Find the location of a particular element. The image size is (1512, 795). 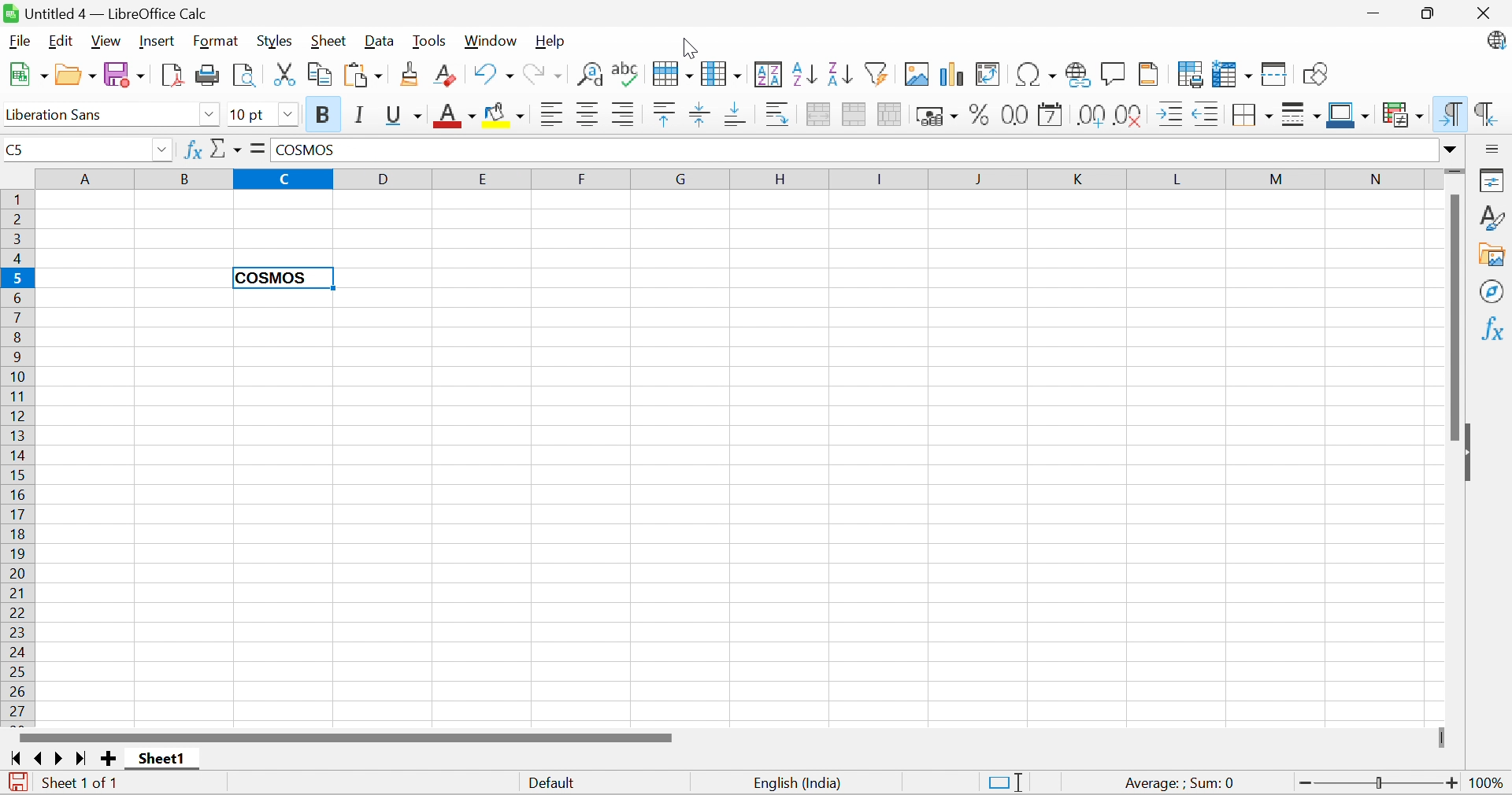

Show Draw Functions is located at coordinates (1315, 72).